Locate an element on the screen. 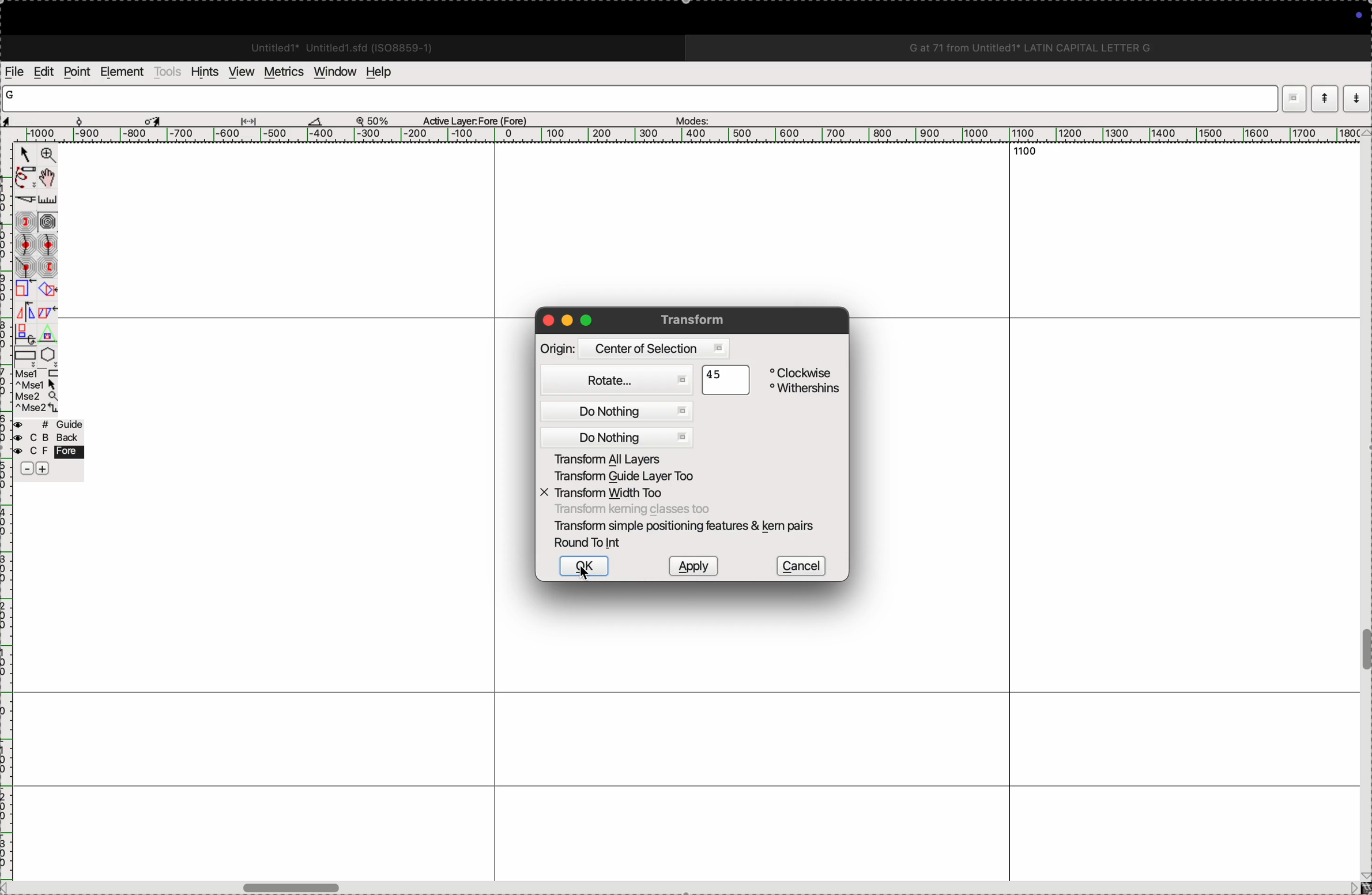 Image resolution: width=1372 pixels, height=895 pixels. knife is located at coordinates (24, 201).